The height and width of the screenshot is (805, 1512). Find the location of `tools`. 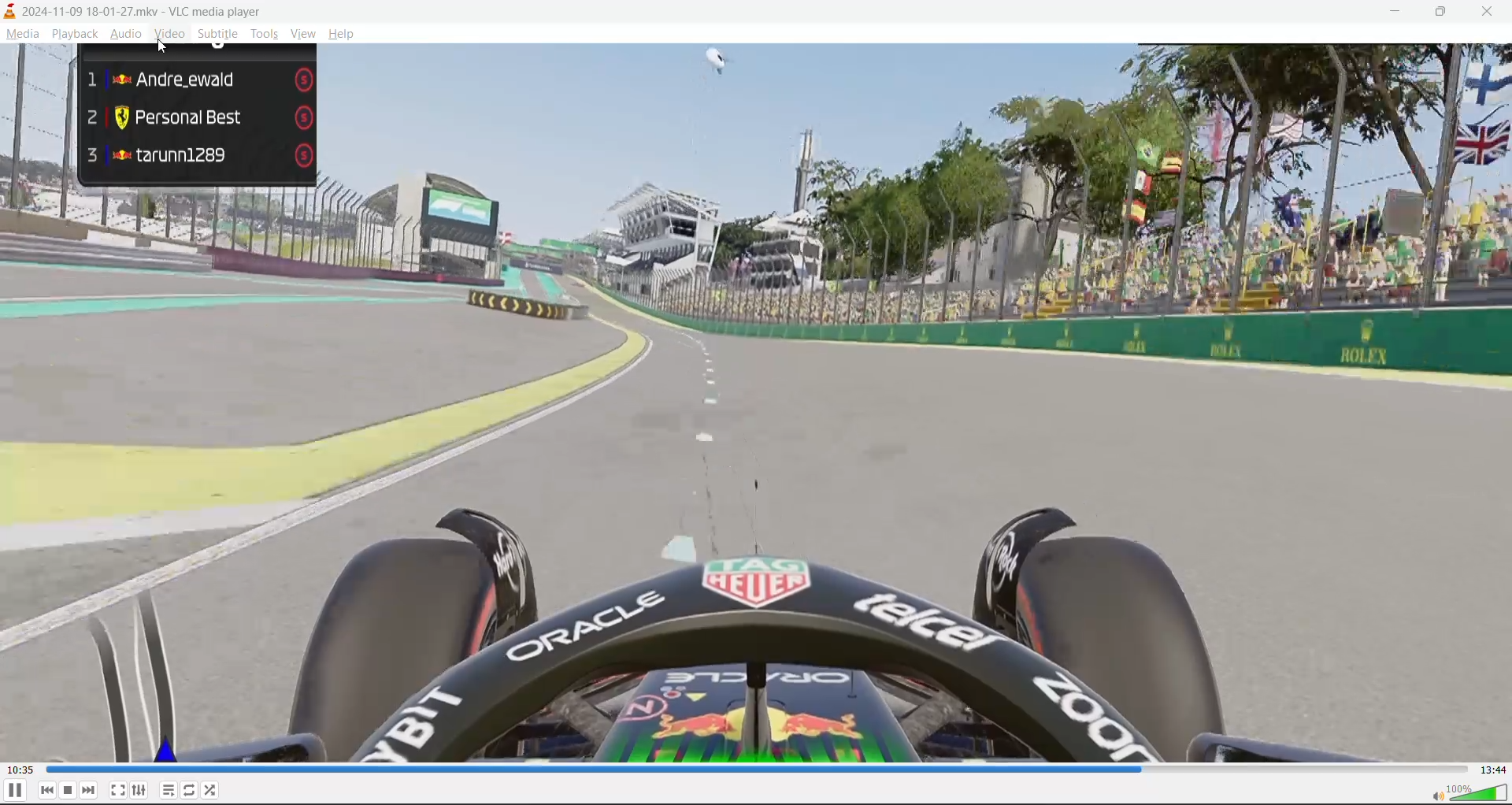

tools is located at coordinates (265, 35).